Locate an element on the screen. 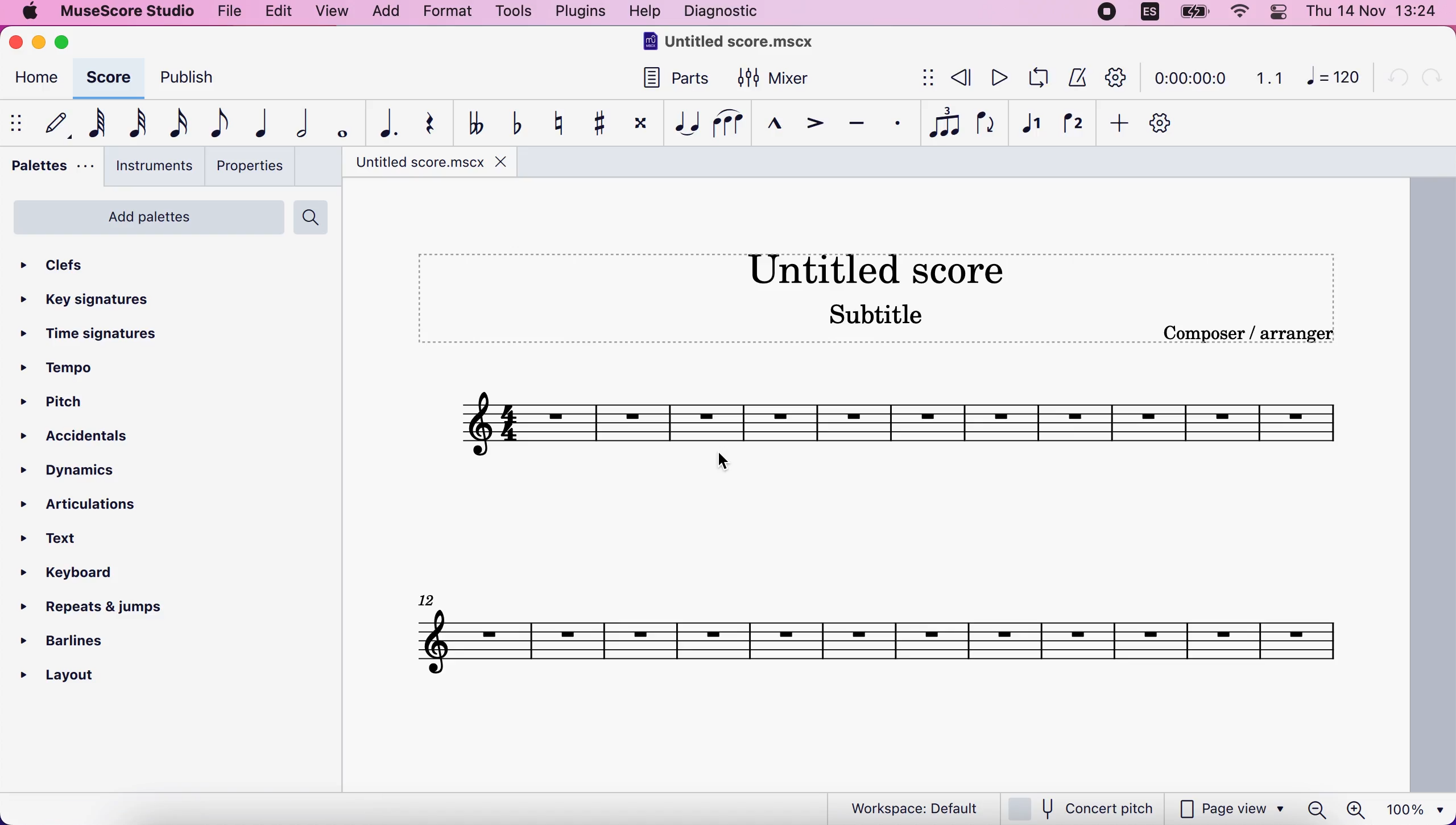 This screenshot has height=825, width=1456. add is located at coordinates (1115, 122).